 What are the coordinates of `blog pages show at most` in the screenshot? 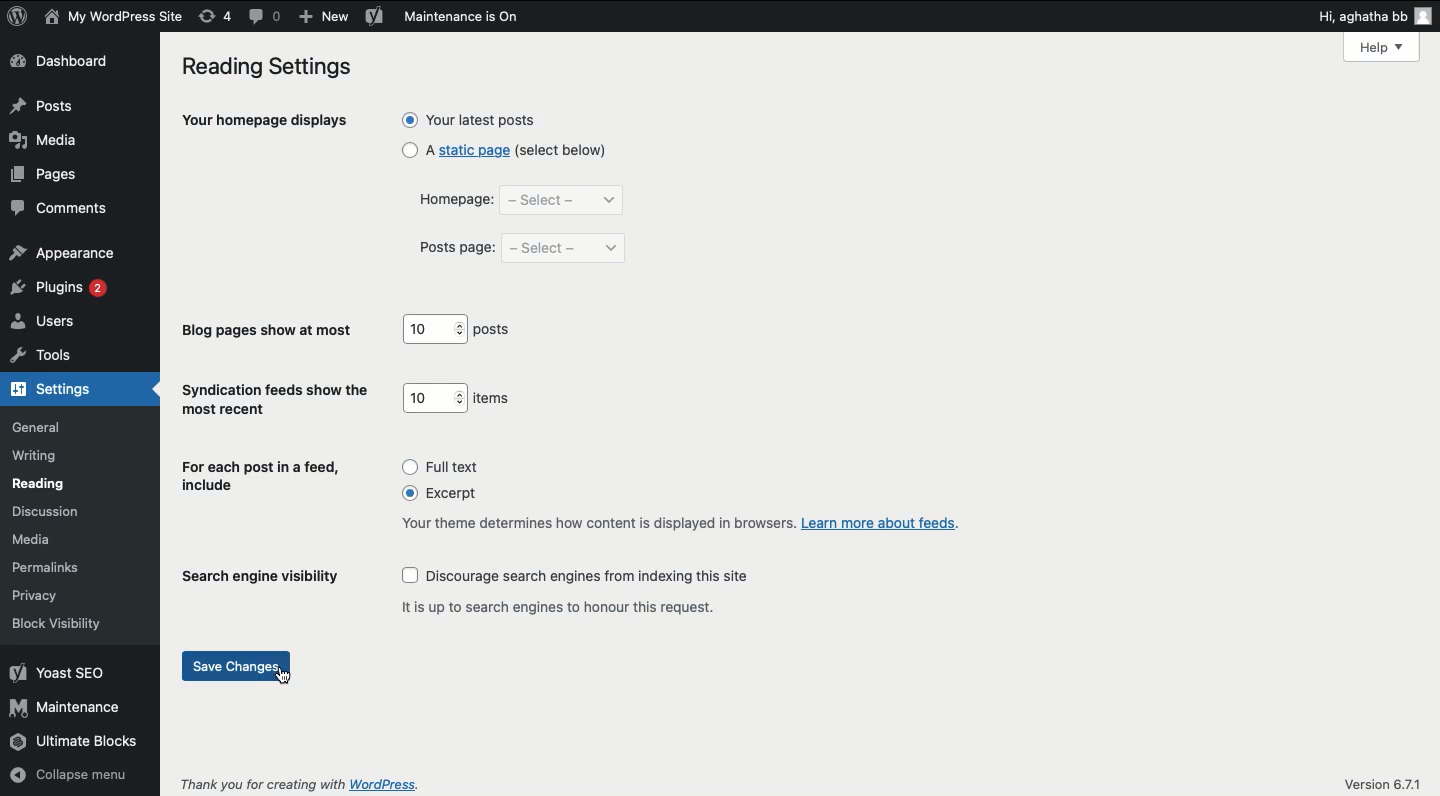 It's located at (269, 331).